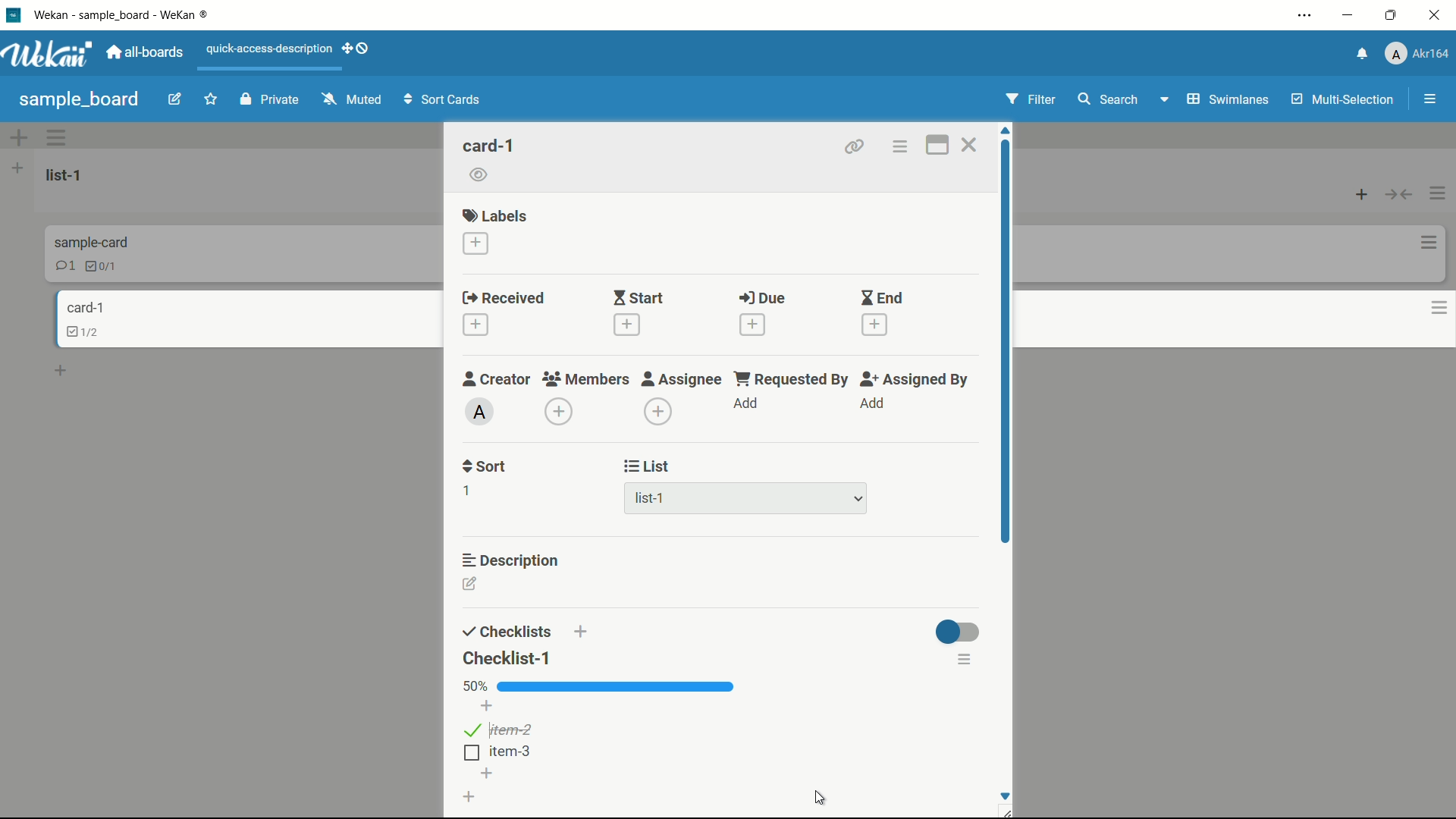 The width and height of the screenshot is (1456, 819). Describe the element at coordinates (475, 325) in the screenshot. I see `add date` at that location.